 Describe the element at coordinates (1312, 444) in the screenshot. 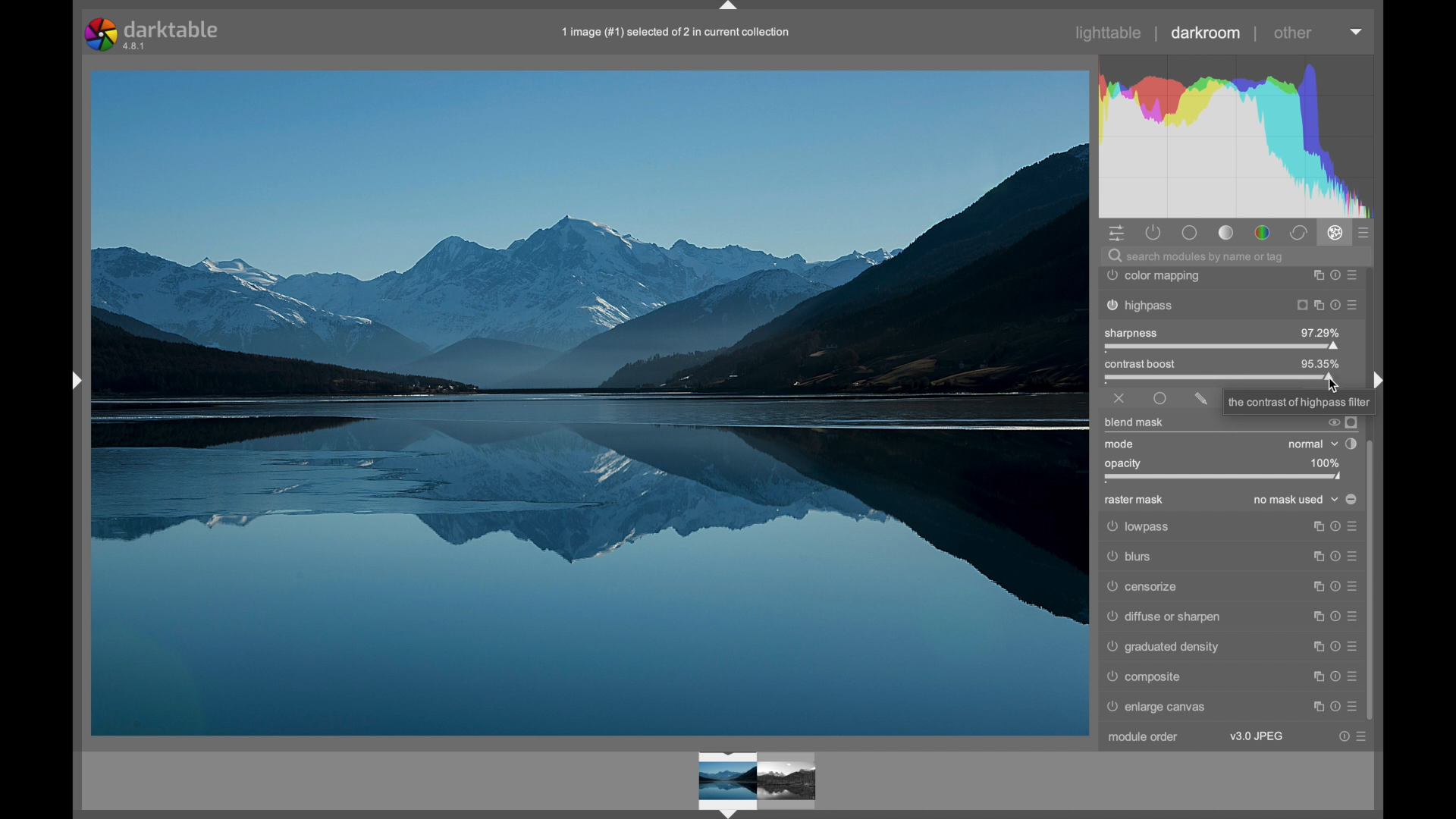

I see `normal dropdown` at that location.